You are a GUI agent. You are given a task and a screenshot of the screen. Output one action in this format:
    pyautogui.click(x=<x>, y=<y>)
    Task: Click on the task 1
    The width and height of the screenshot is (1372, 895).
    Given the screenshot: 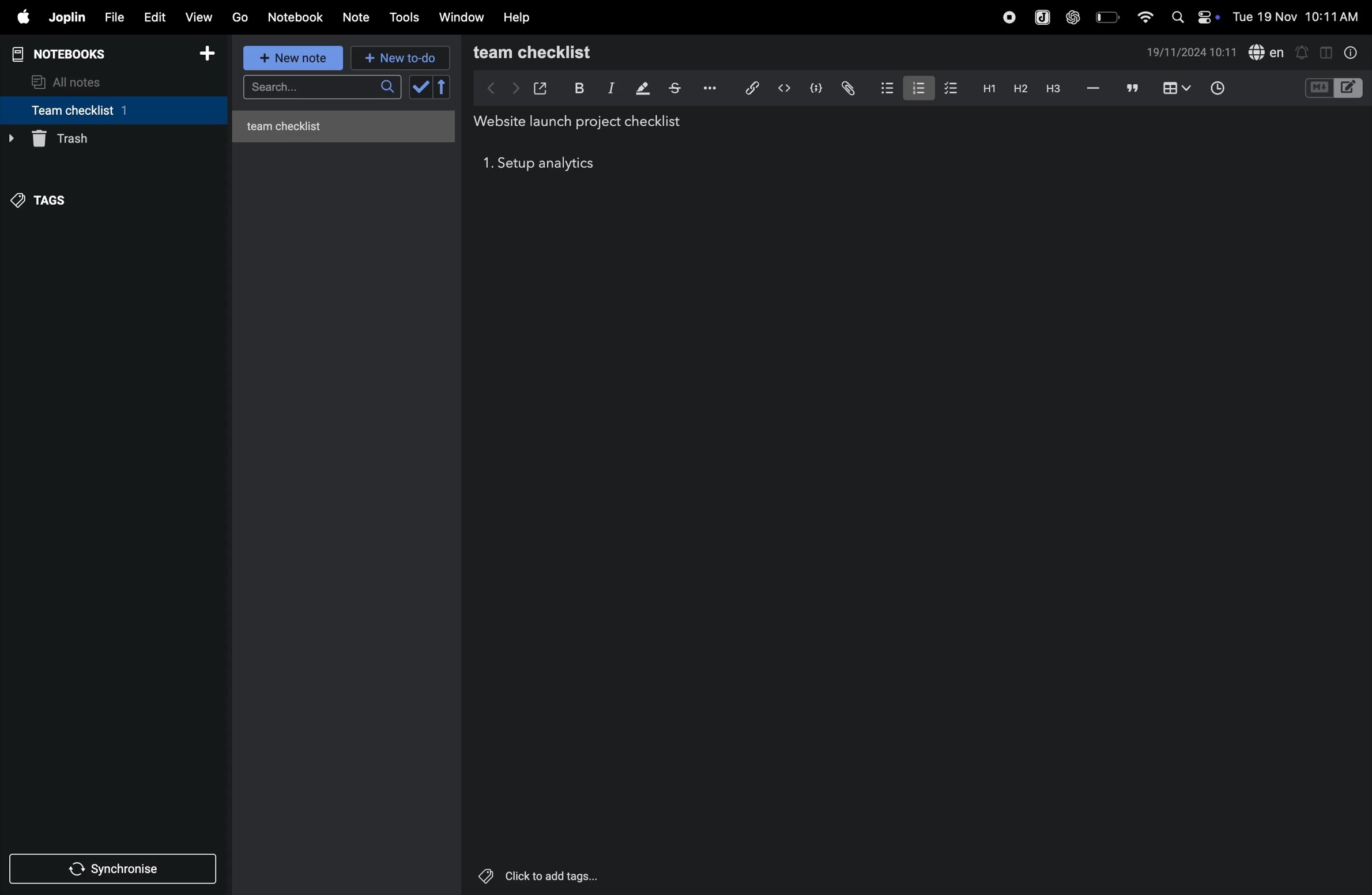 What is the action you would take?
    pyautogui.click(x=487, y=165)
    